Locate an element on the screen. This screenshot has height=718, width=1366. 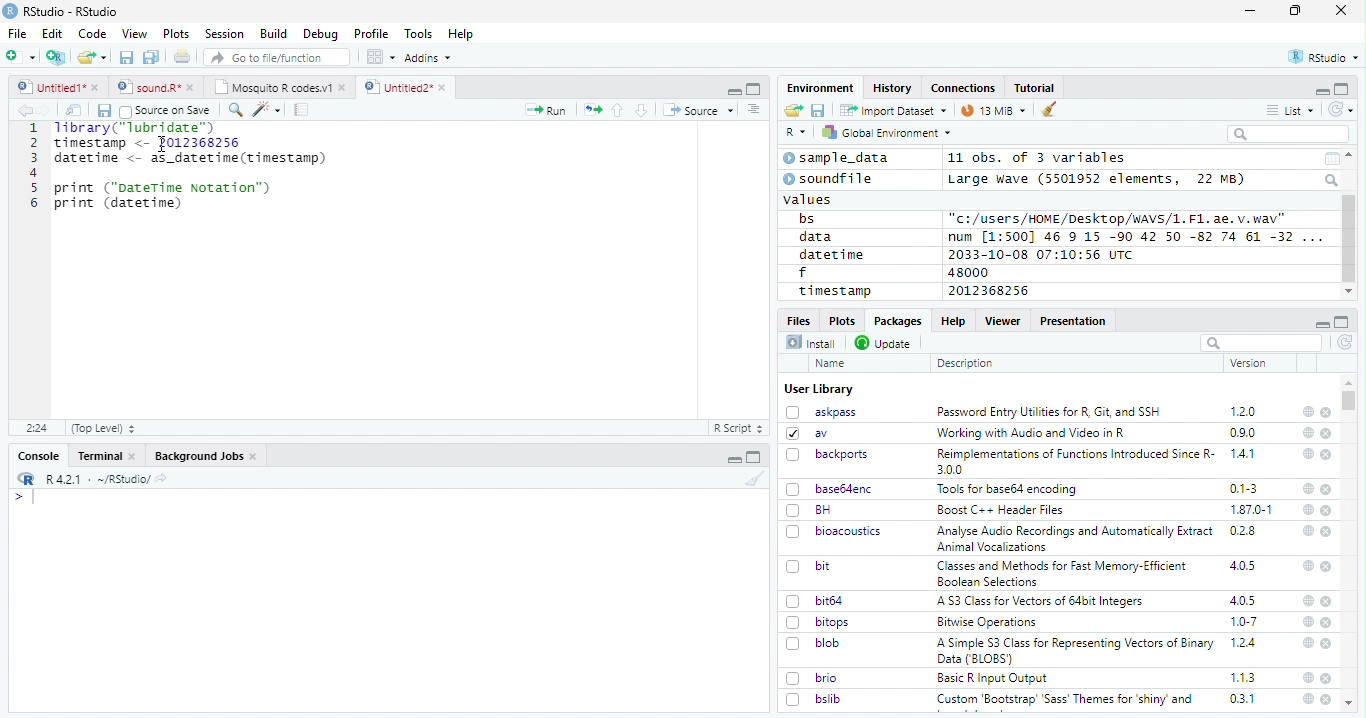
Tutorial is located at coordinates (1036, 88).